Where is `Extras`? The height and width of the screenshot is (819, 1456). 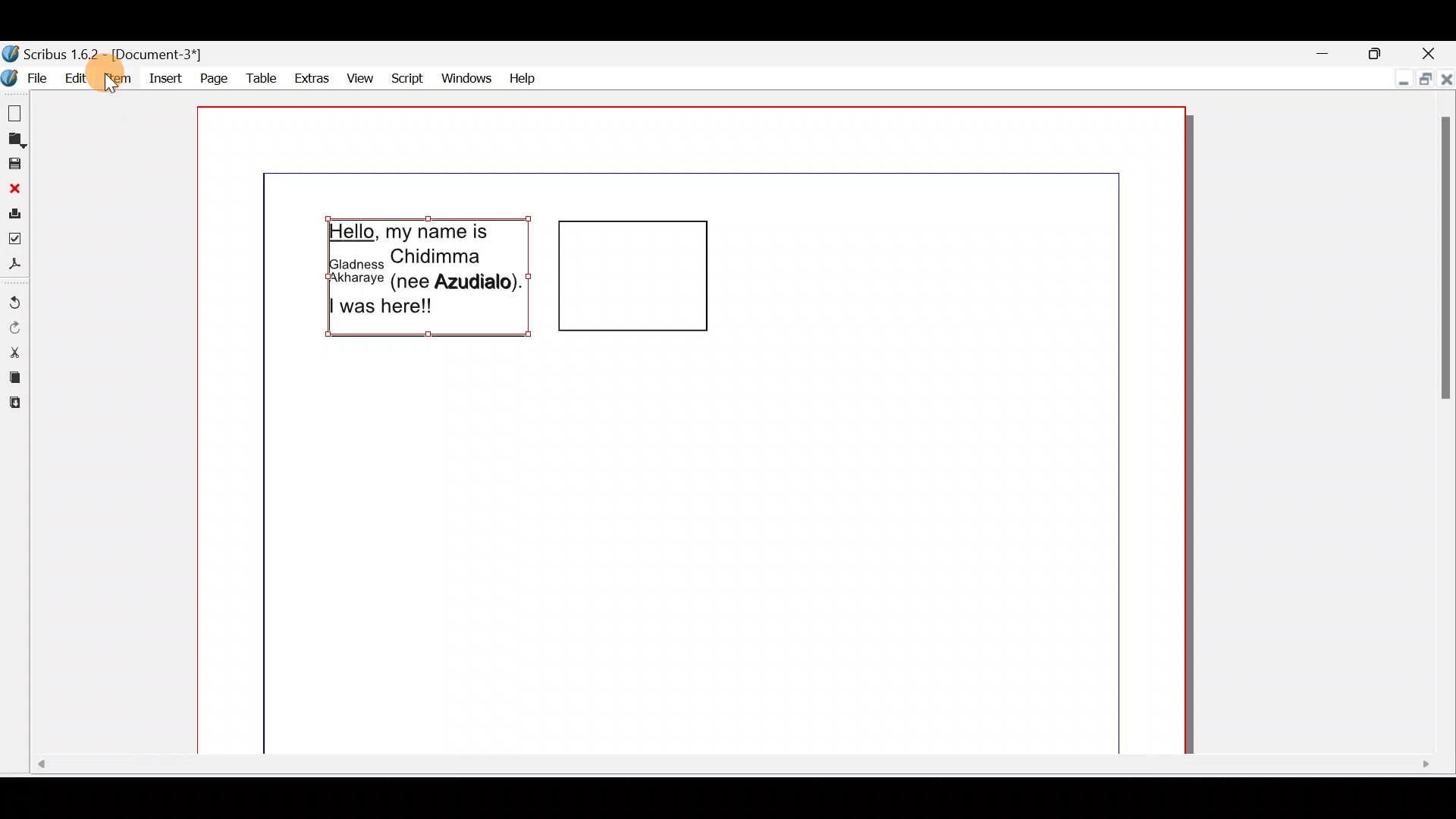
Extras is located at coordinates (309, 77).